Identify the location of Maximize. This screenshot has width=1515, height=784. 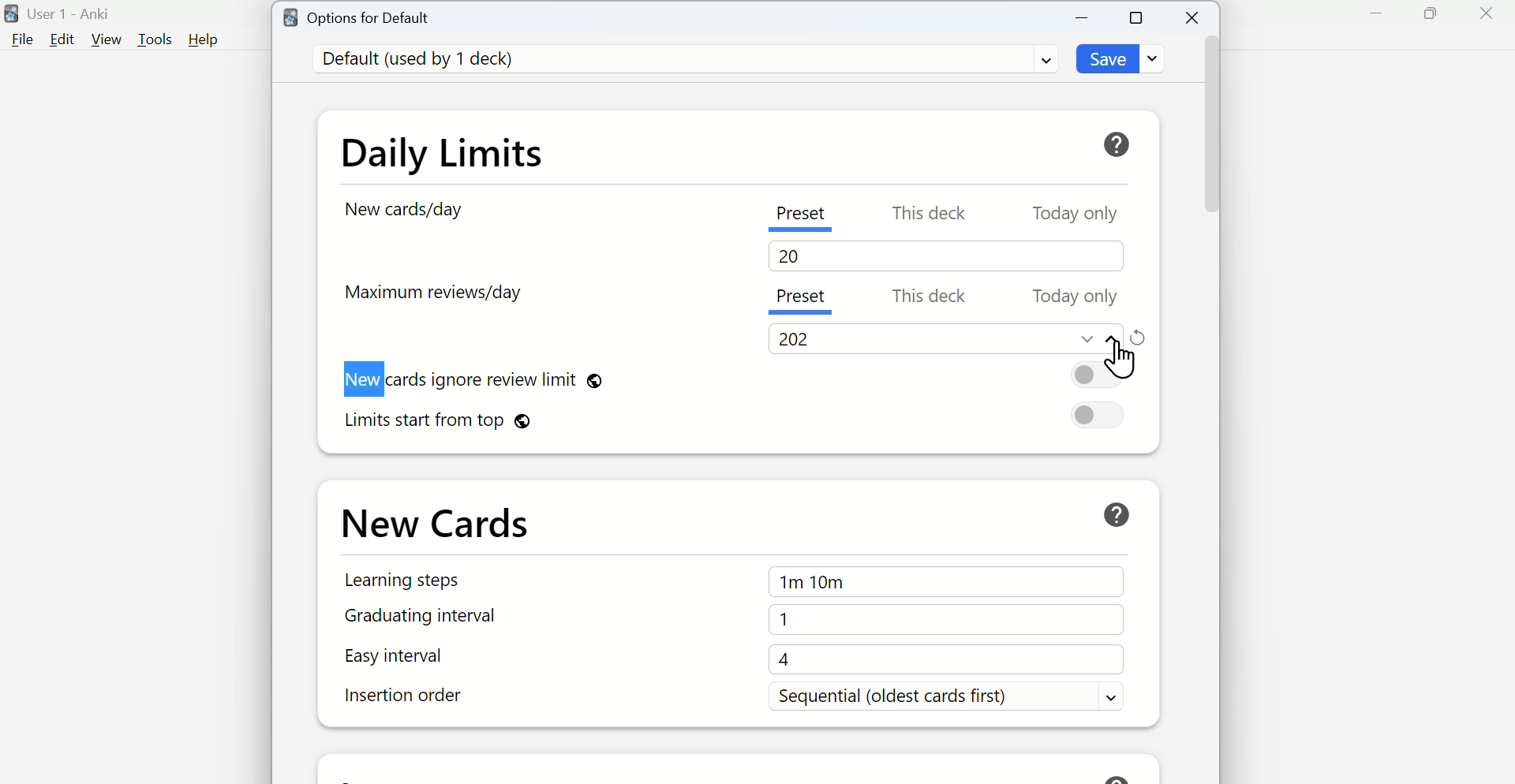
(1137, 17).